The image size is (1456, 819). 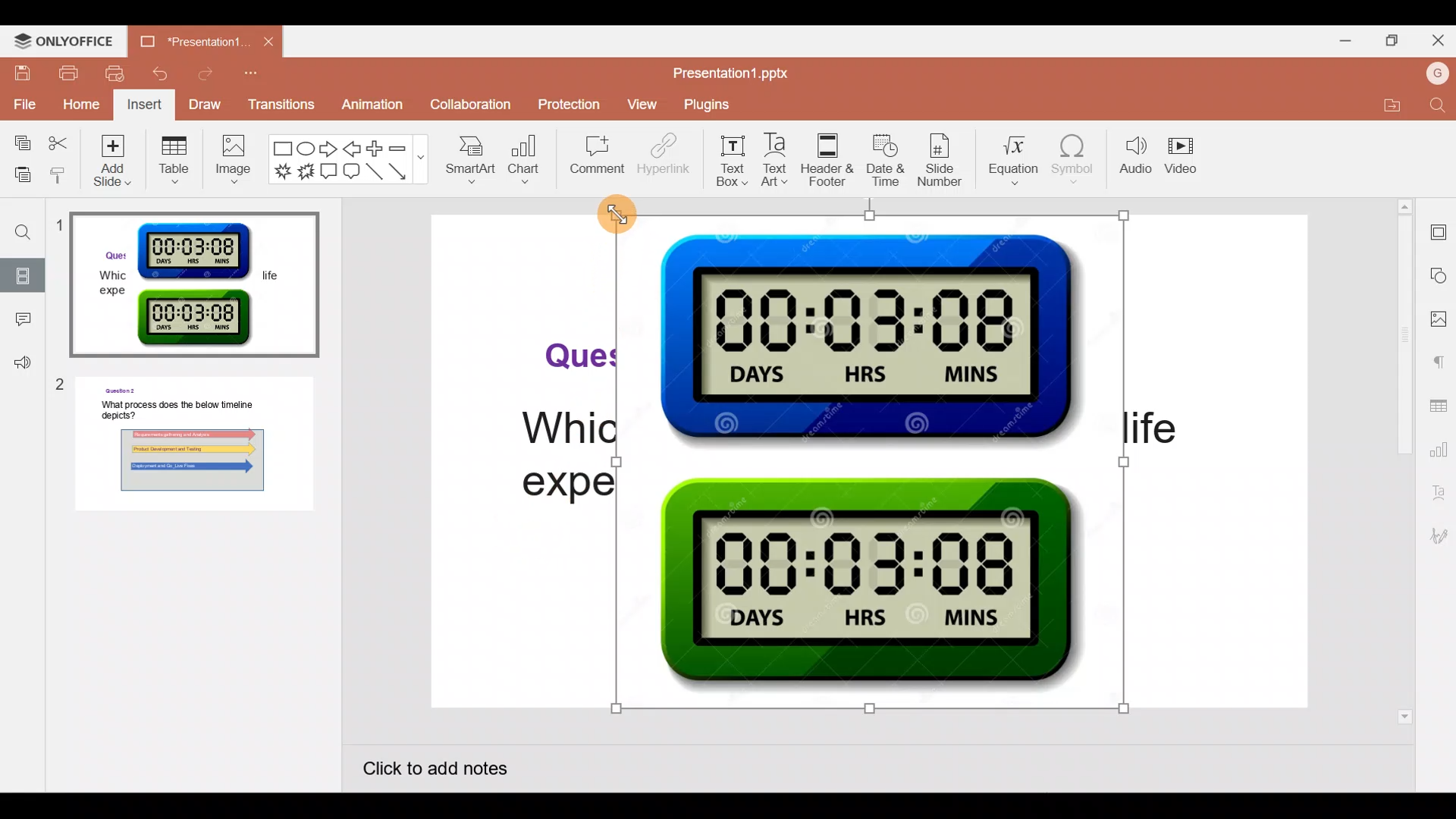 What do you see at coordinates (268, 44) in the screenshot?
I see `Close document` at bounding box center [268, 44].